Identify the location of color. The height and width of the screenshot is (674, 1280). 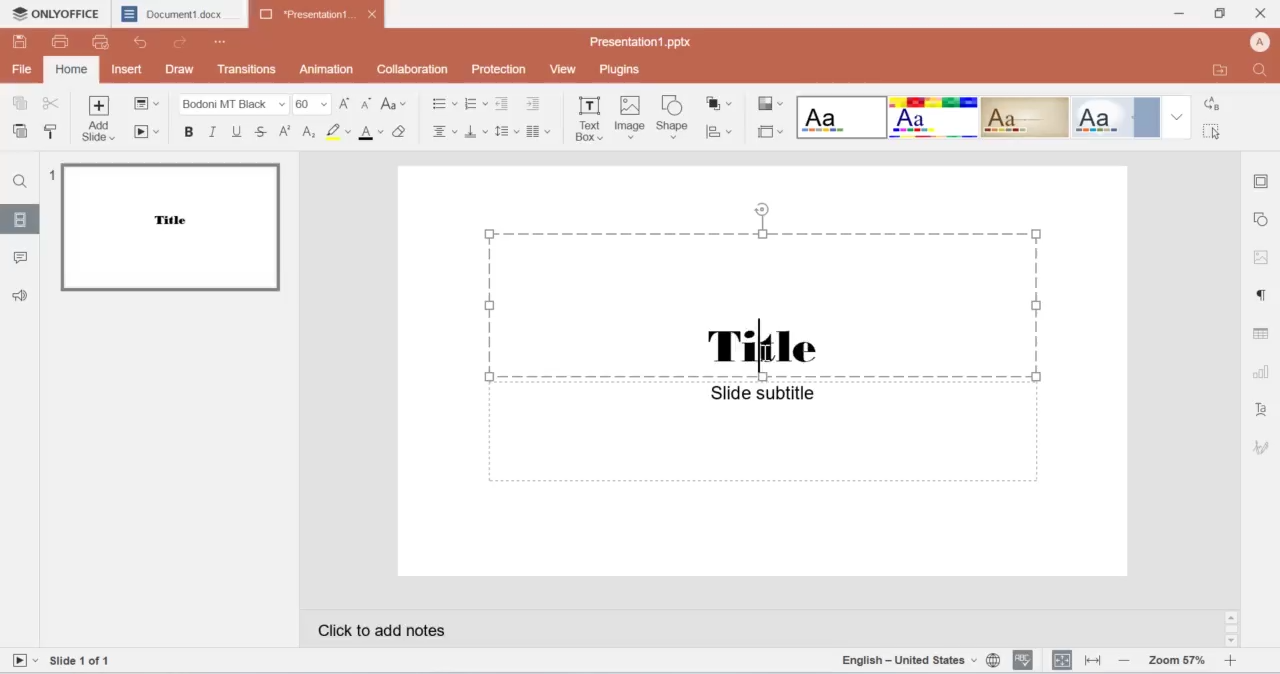
(339, 132).